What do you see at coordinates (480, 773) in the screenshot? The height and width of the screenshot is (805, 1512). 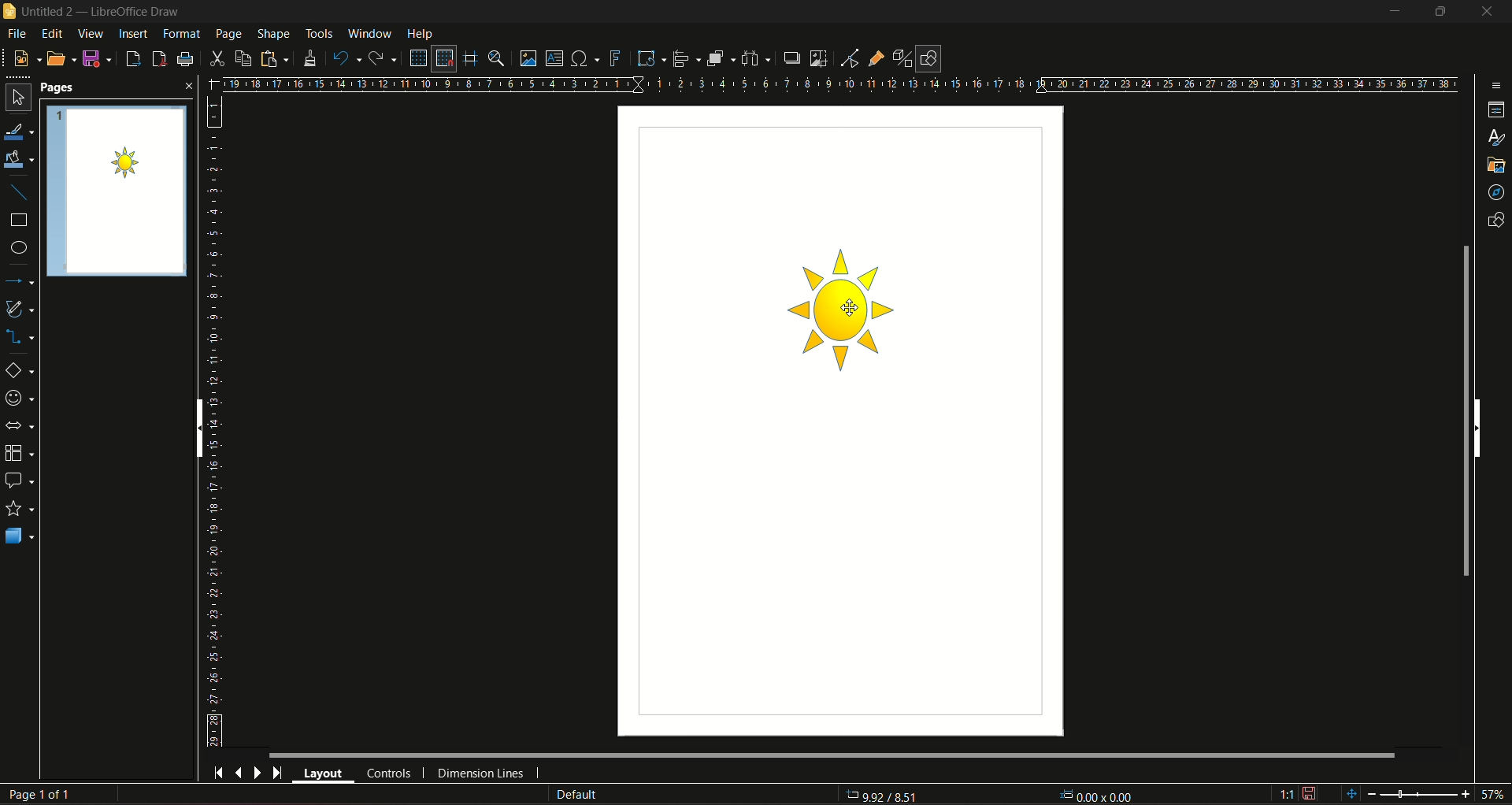 I see `dimension lines` at bounding box center [480, 773].